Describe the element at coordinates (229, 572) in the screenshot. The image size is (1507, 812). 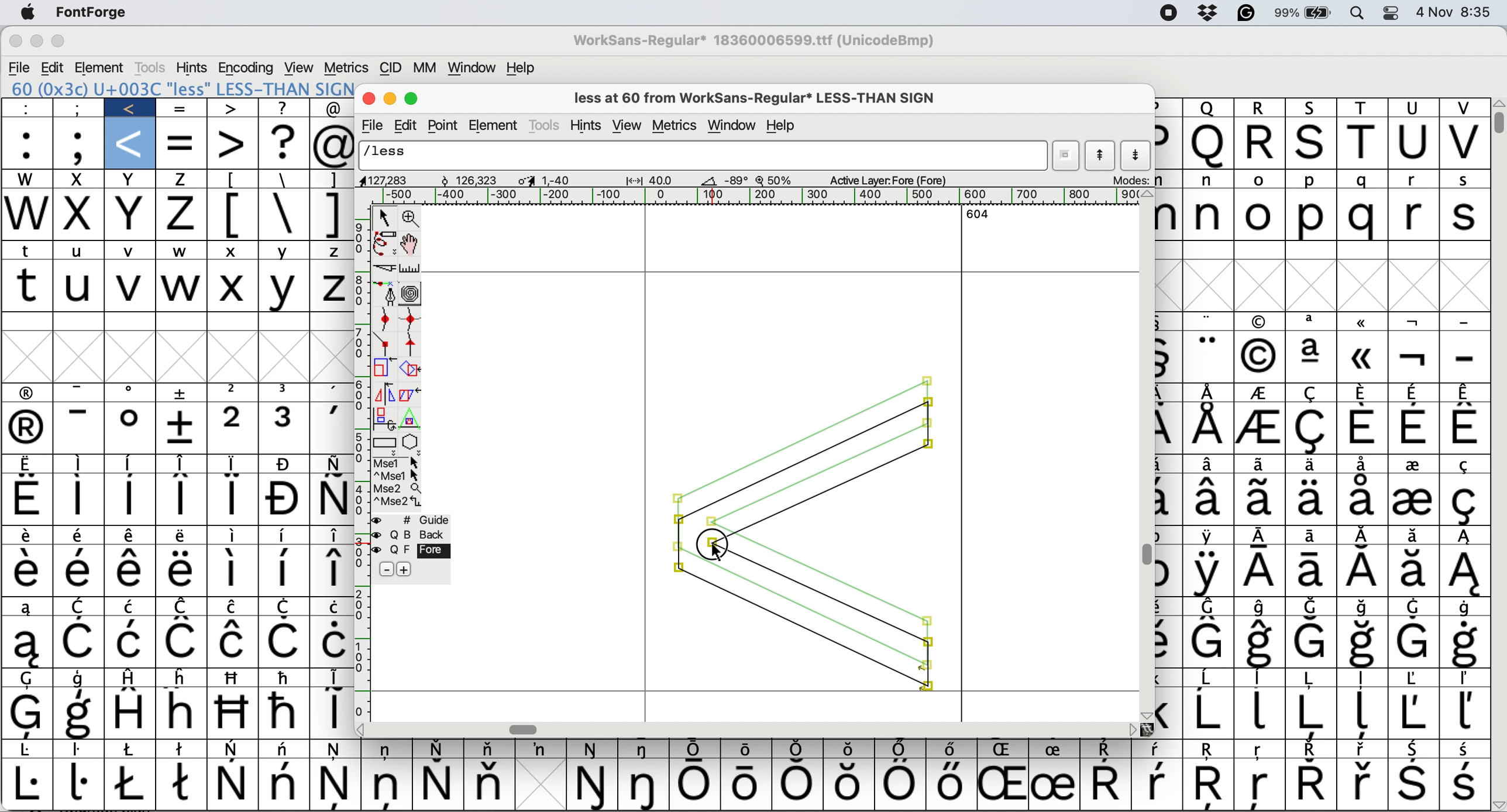
I see `Symbol` at that location.